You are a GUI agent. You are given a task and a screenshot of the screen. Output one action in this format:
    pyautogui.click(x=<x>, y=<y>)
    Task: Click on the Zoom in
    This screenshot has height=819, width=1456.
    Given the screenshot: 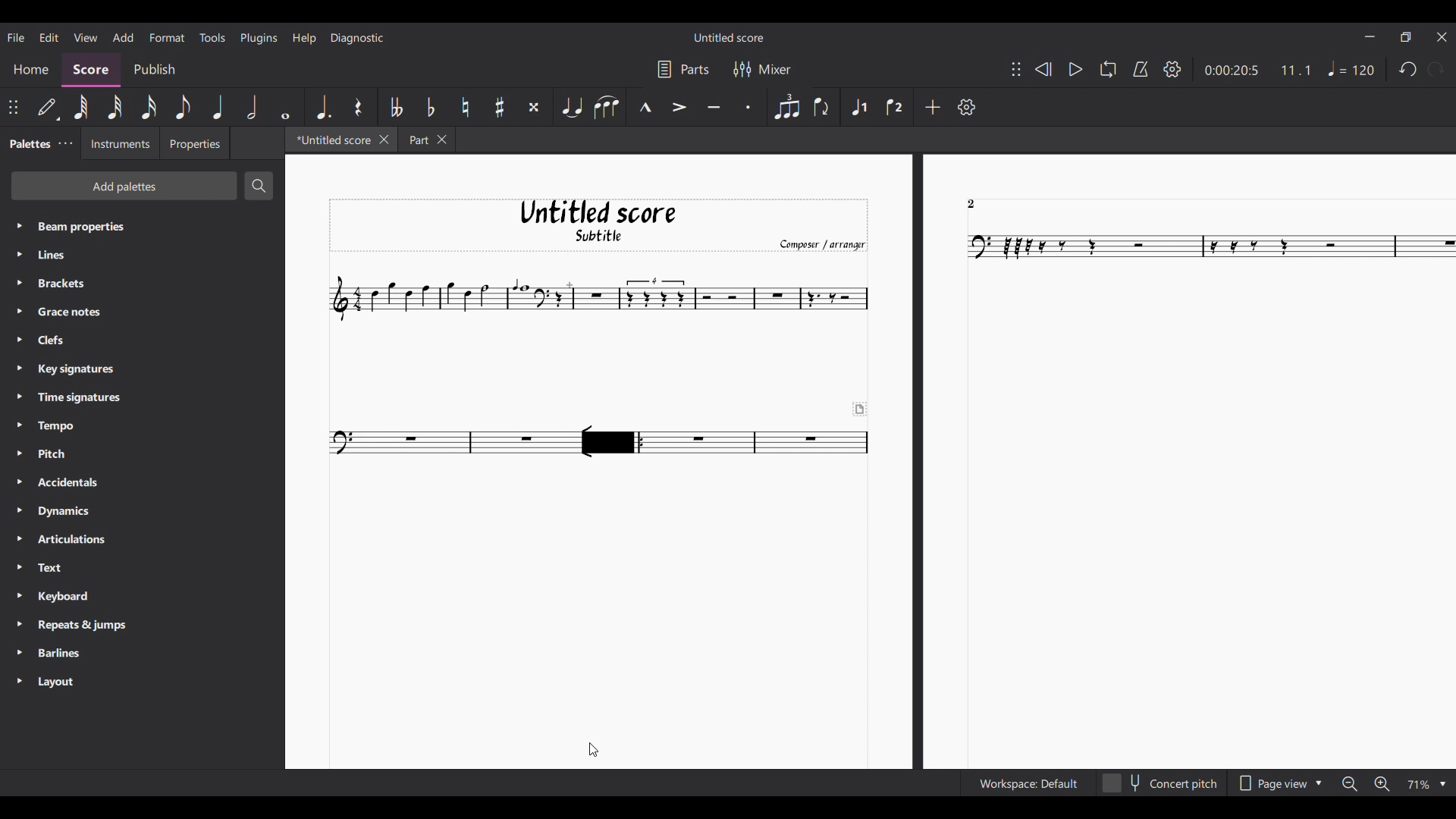 What is the action you would take?
    pyautogui.click(x=1382, y=783)
    